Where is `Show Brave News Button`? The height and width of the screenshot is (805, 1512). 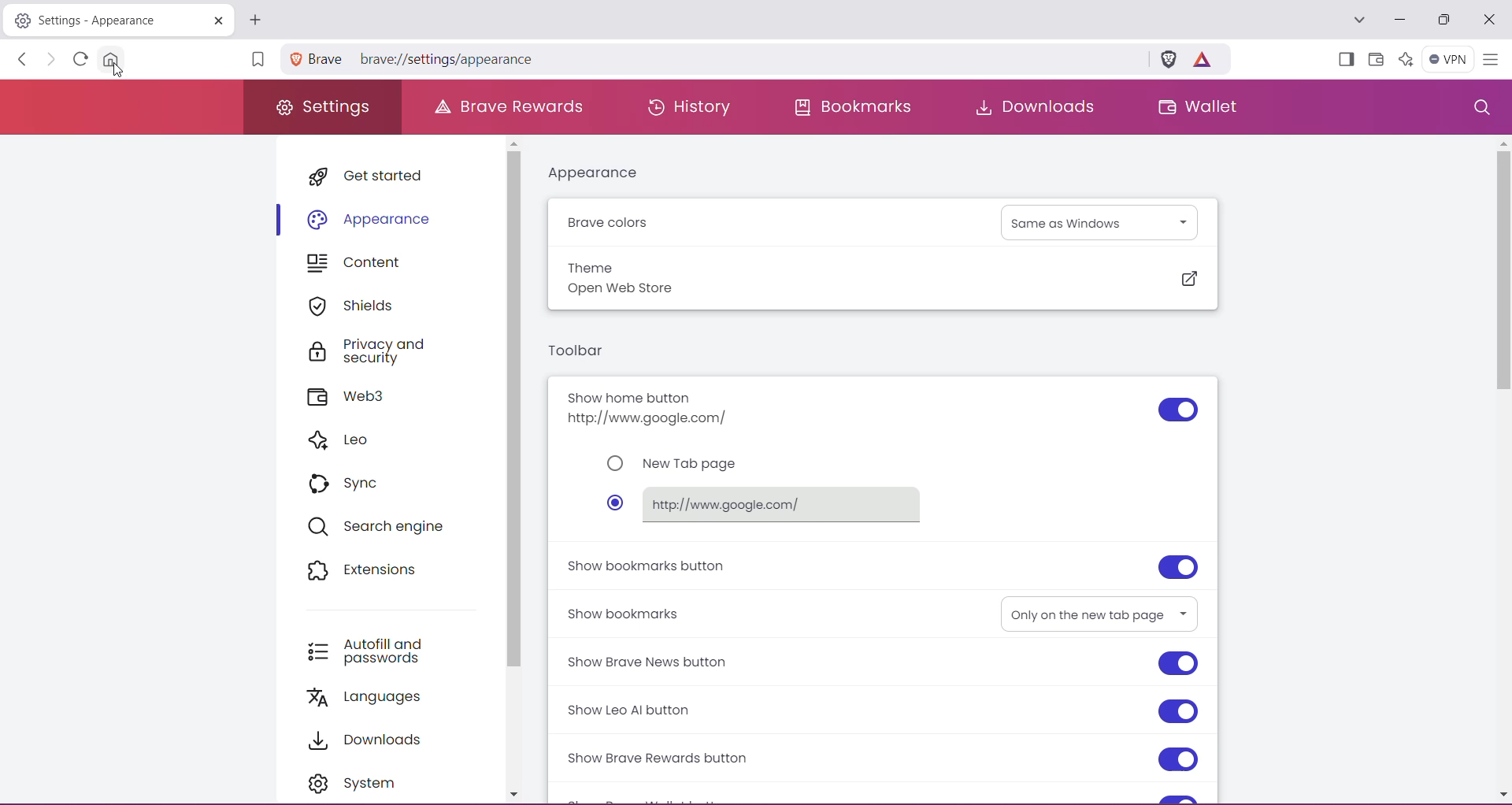 Show Brave News Button is located at coordinates (657, 662).